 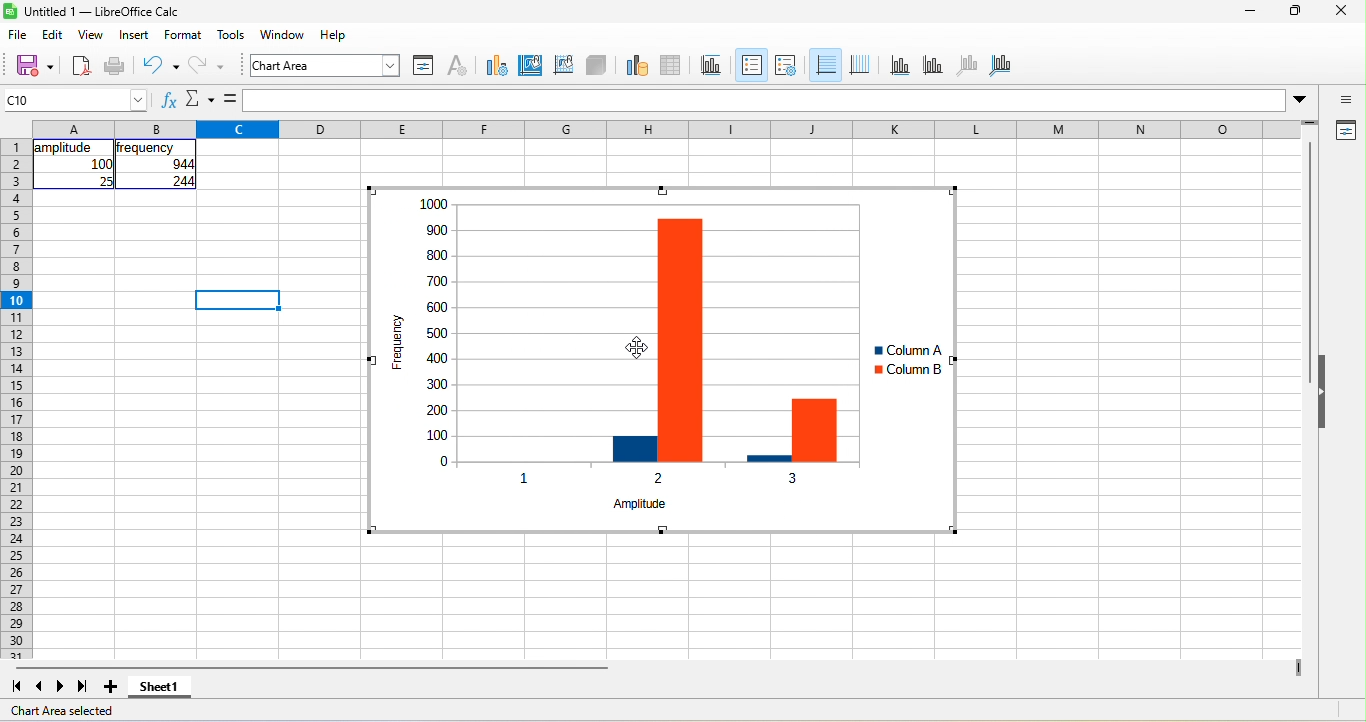 I want to click on Collapse/Expand, so click(x=1322, y=391).